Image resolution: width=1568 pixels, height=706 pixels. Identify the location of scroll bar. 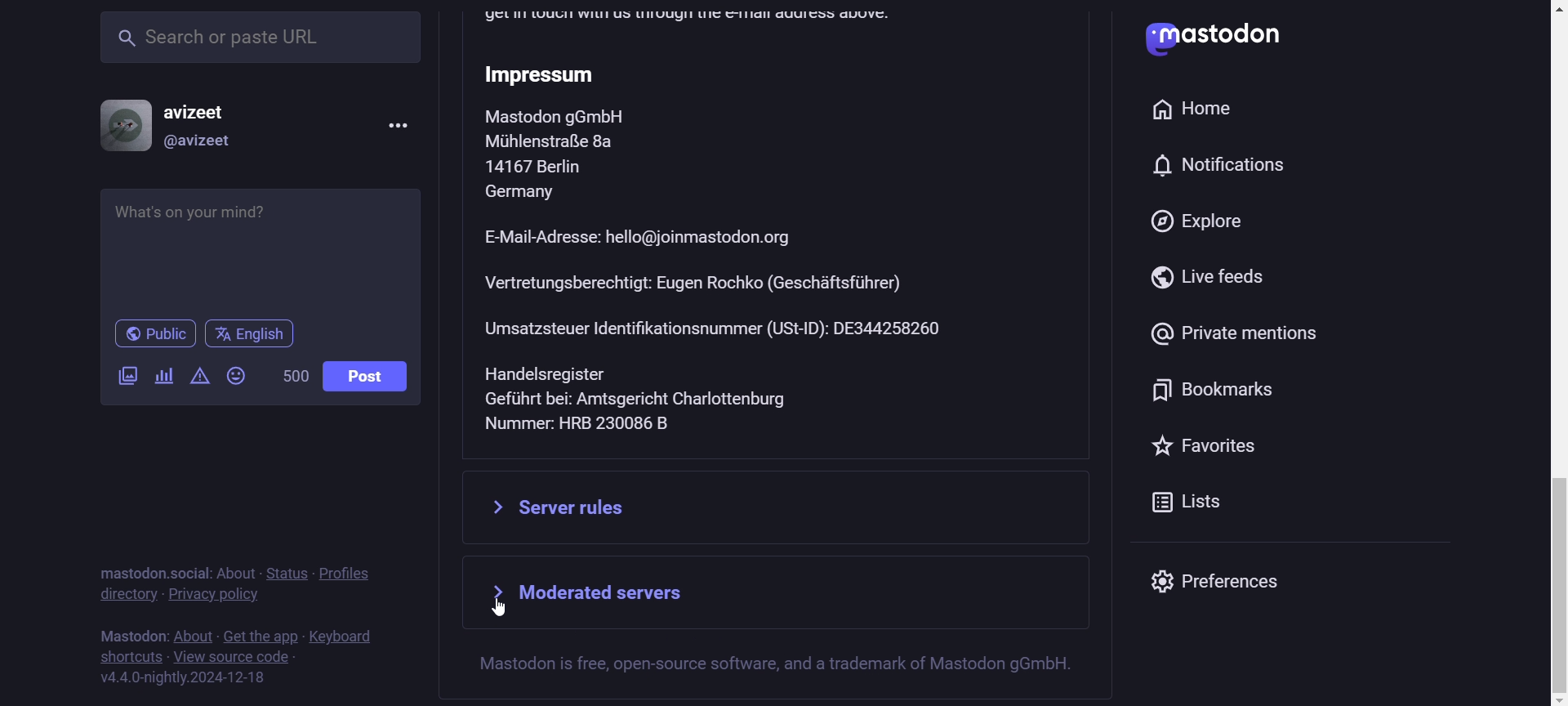
(1552, 425).